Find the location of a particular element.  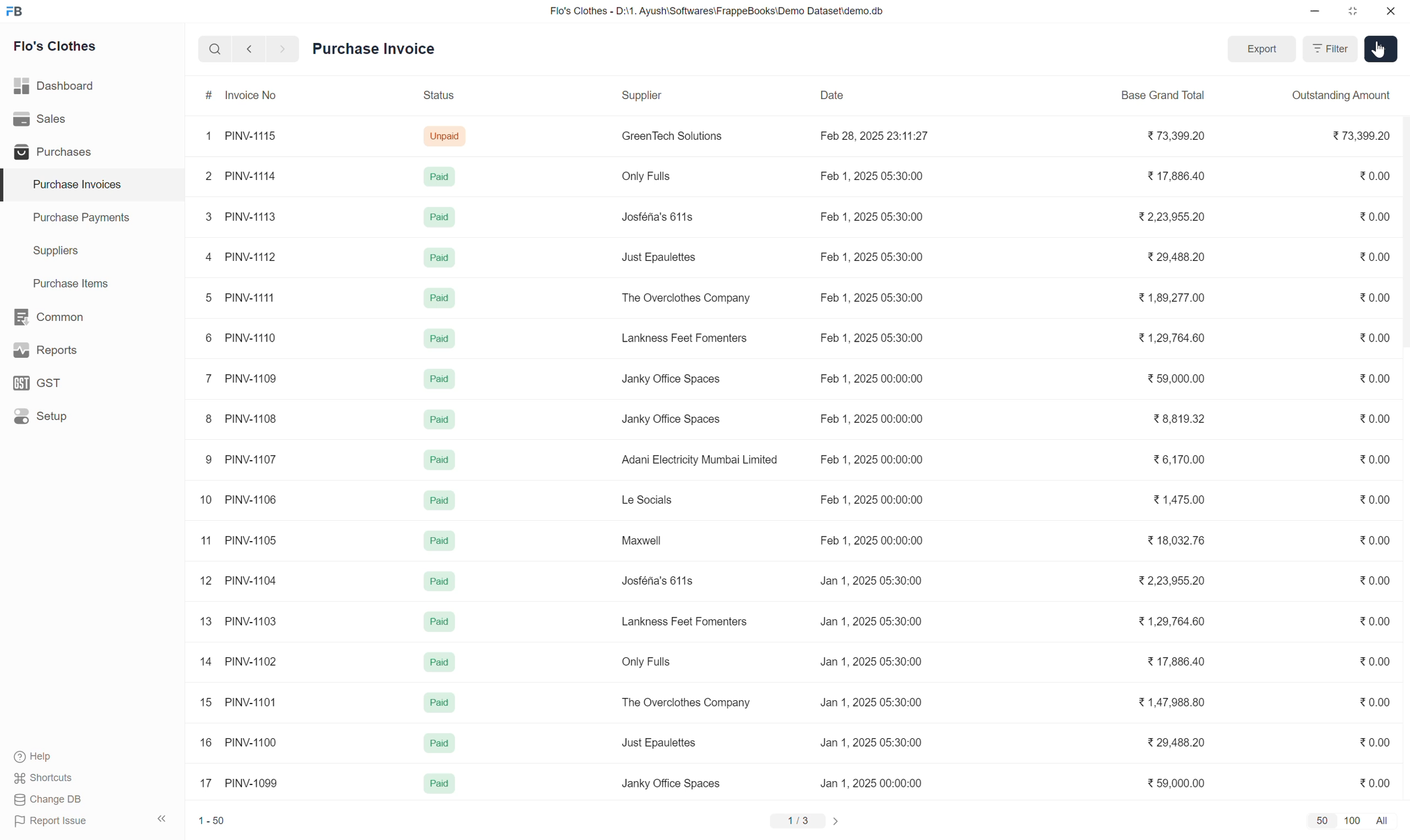

previous is located at coordinates (280, 48).